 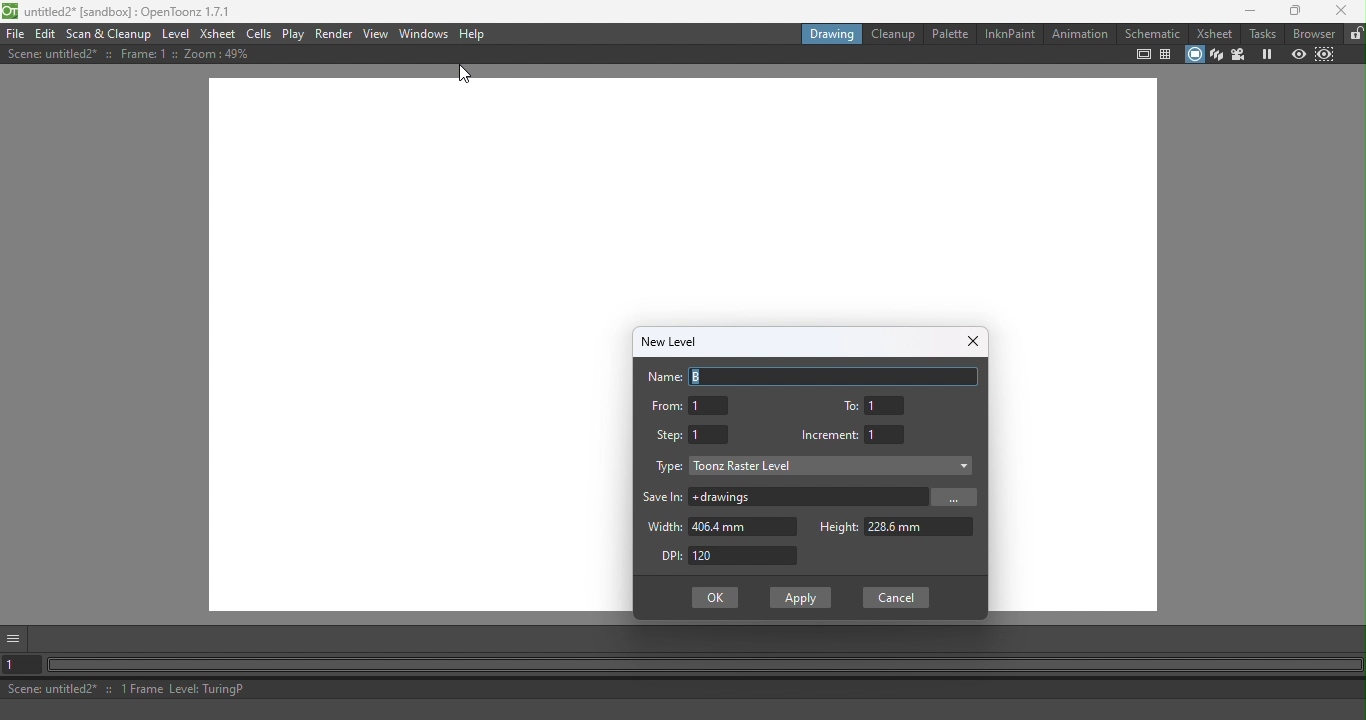 I want to click on Set the current frame, so click(x=20, y=667).